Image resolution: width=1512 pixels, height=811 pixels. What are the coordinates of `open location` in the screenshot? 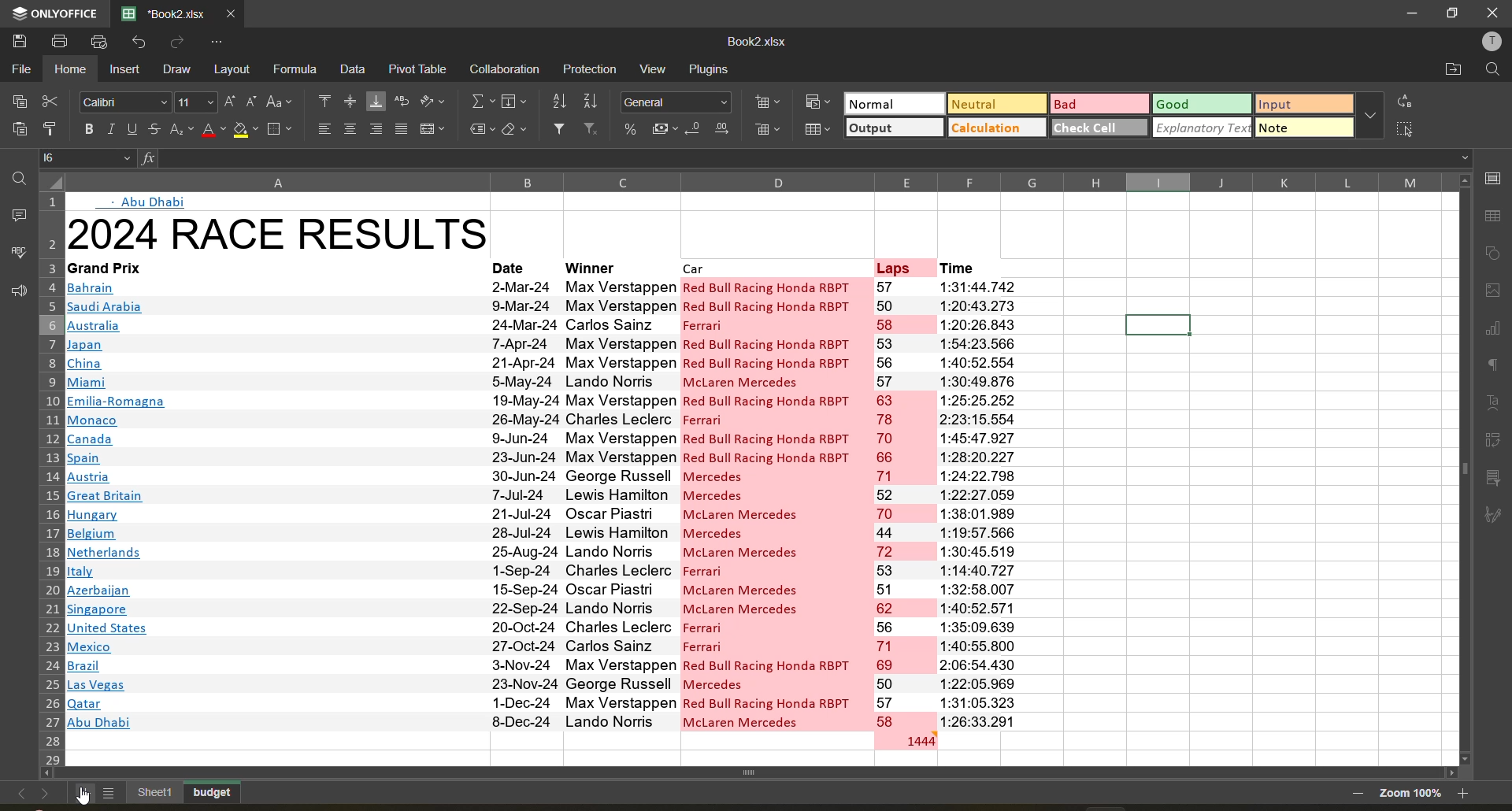 It's located at (1451, 70).